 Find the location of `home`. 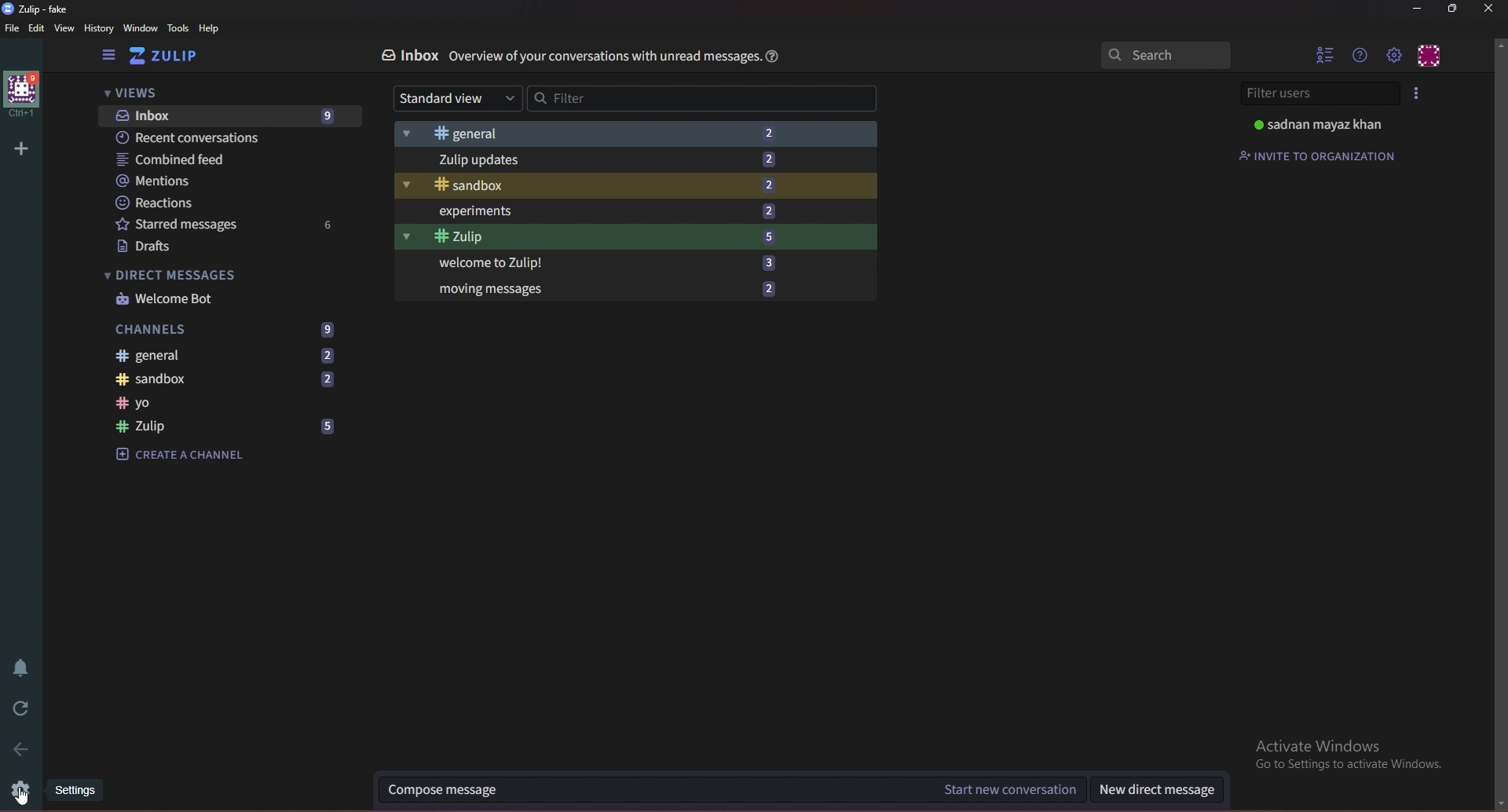

home is located at coordinates (24, 96).